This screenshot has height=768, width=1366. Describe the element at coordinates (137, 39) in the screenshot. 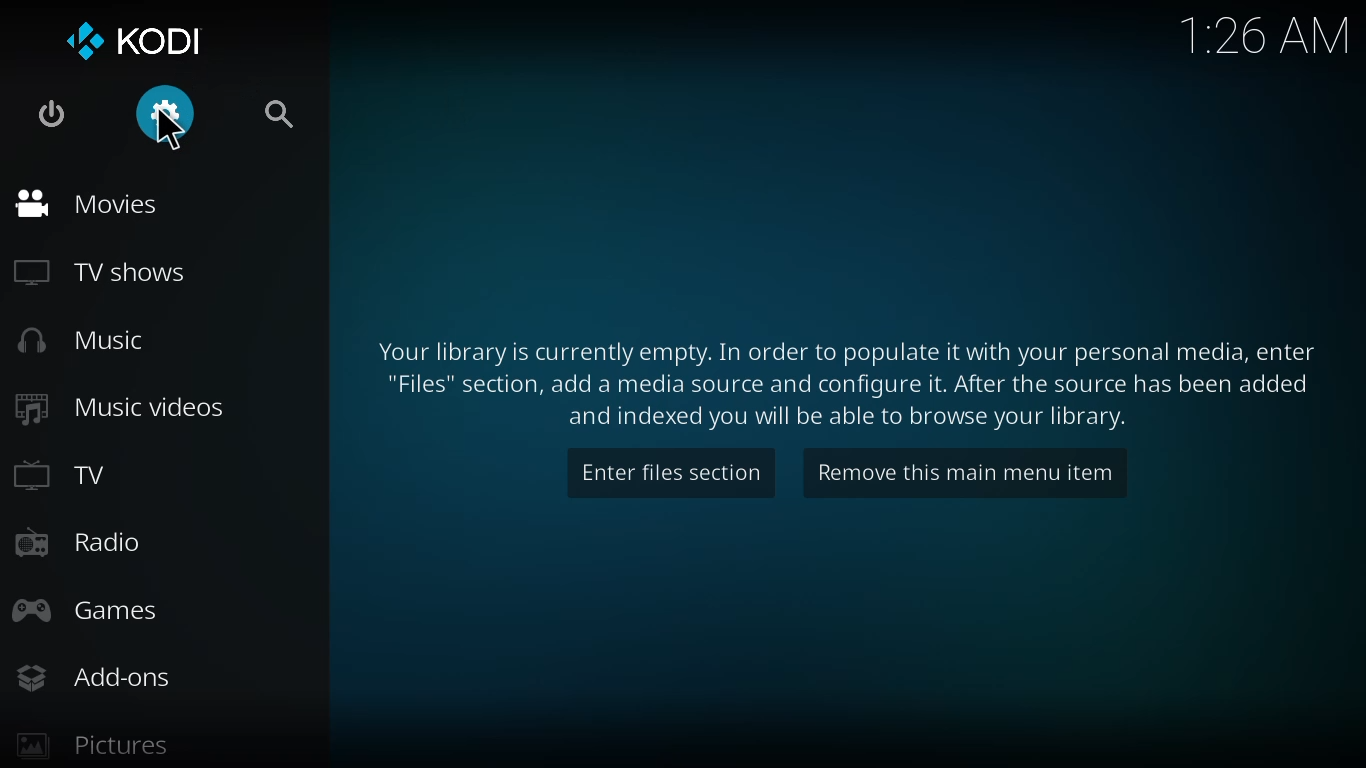

I see `kodi` at that location.